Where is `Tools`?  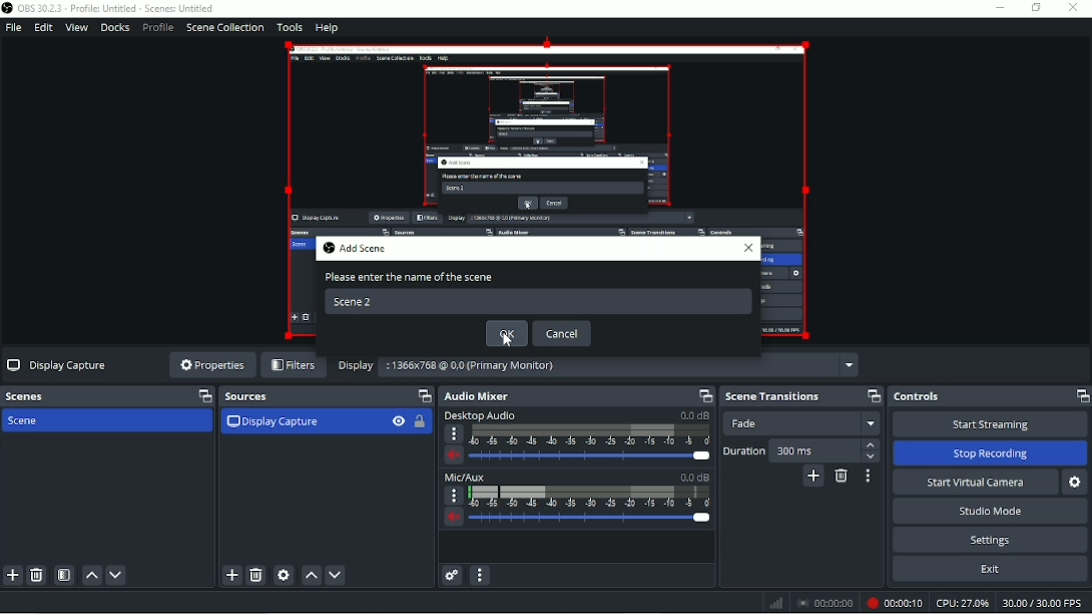 Tools is located at coordinates (290, 27).